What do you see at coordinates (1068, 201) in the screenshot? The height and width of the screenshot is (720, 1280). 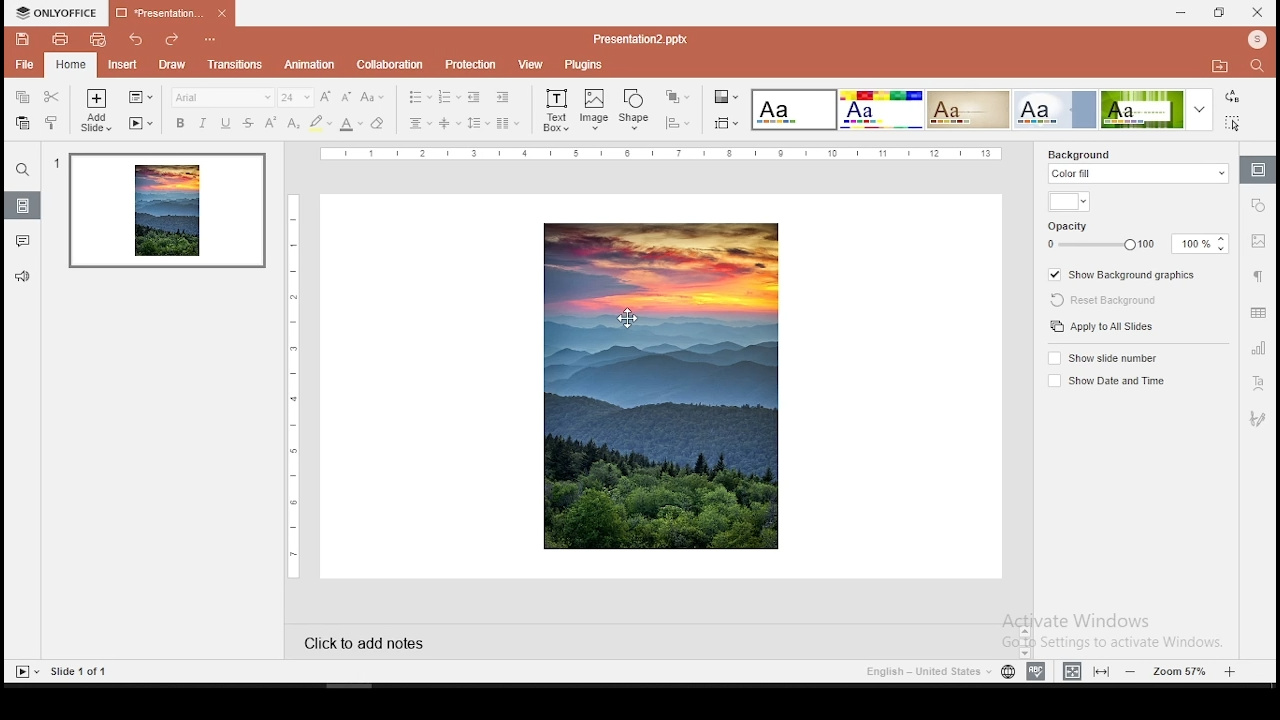 I see `fill color` at bounding box center [1068, 201].